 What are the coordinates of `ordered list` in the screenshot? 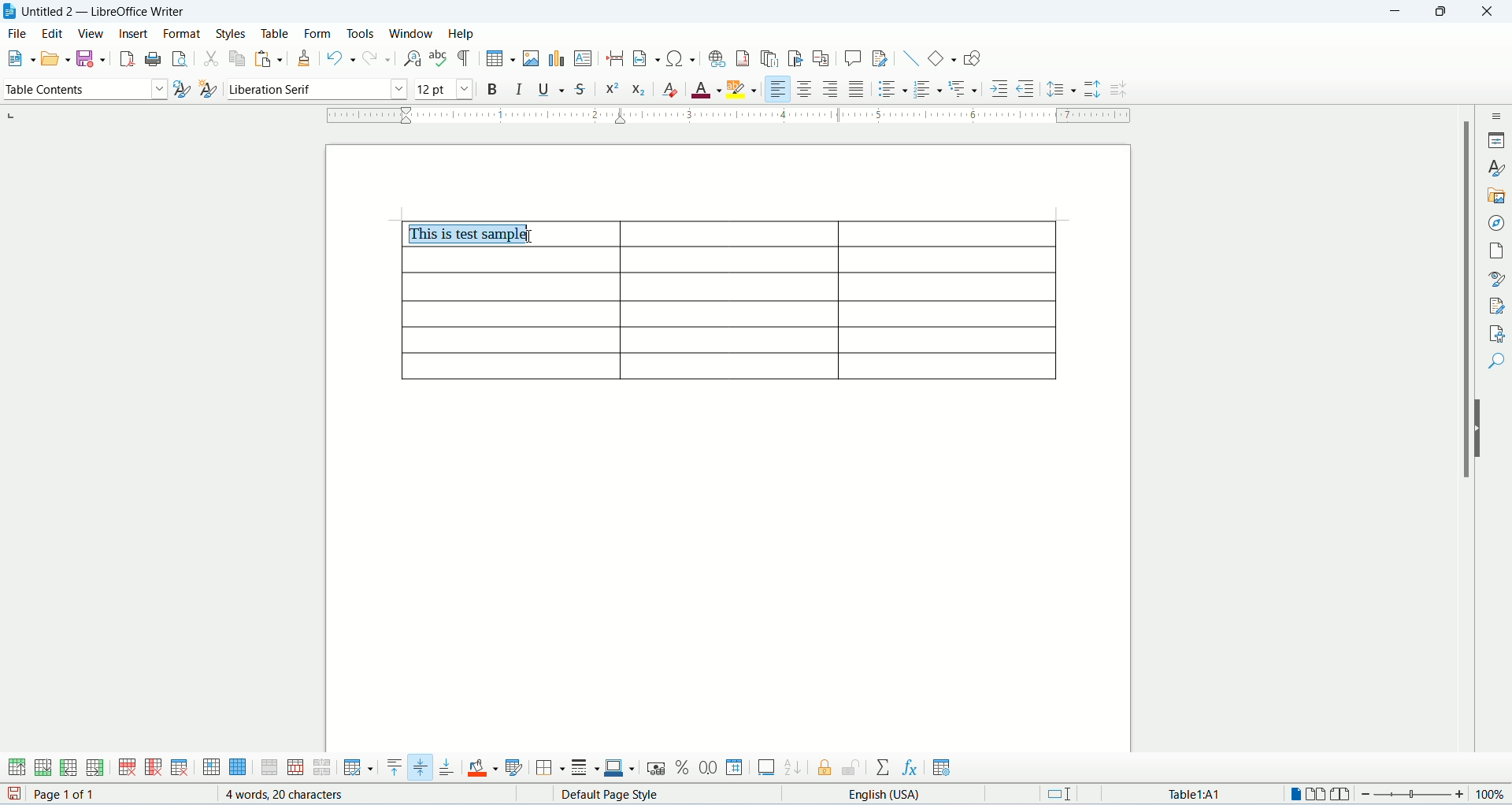 It's located at (929, 88).